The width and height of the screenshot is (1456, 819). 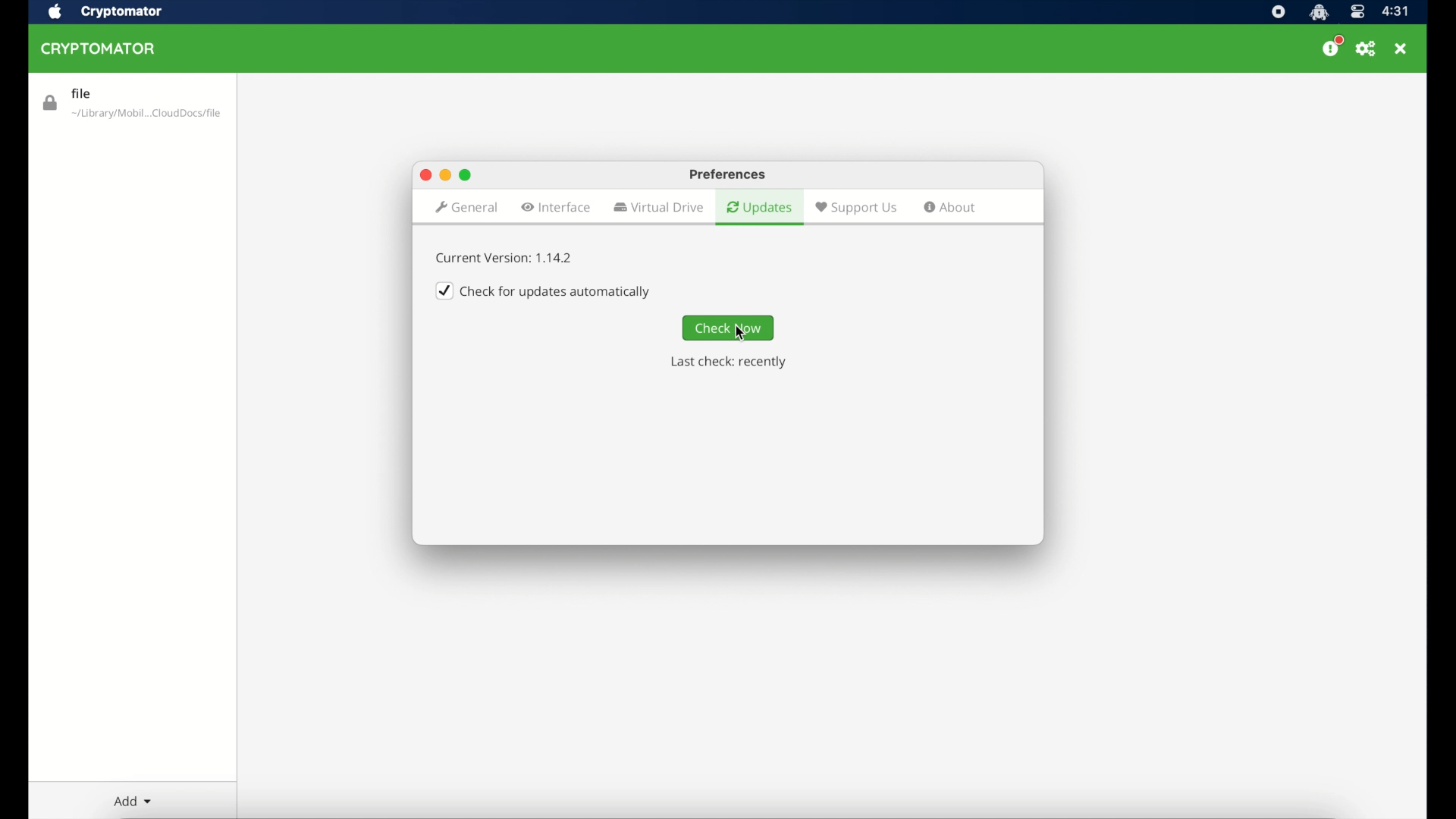 What do you see at coordinates (544, 290) in the screenshot?
I see `checkbox` at bounding box center [544, 290].